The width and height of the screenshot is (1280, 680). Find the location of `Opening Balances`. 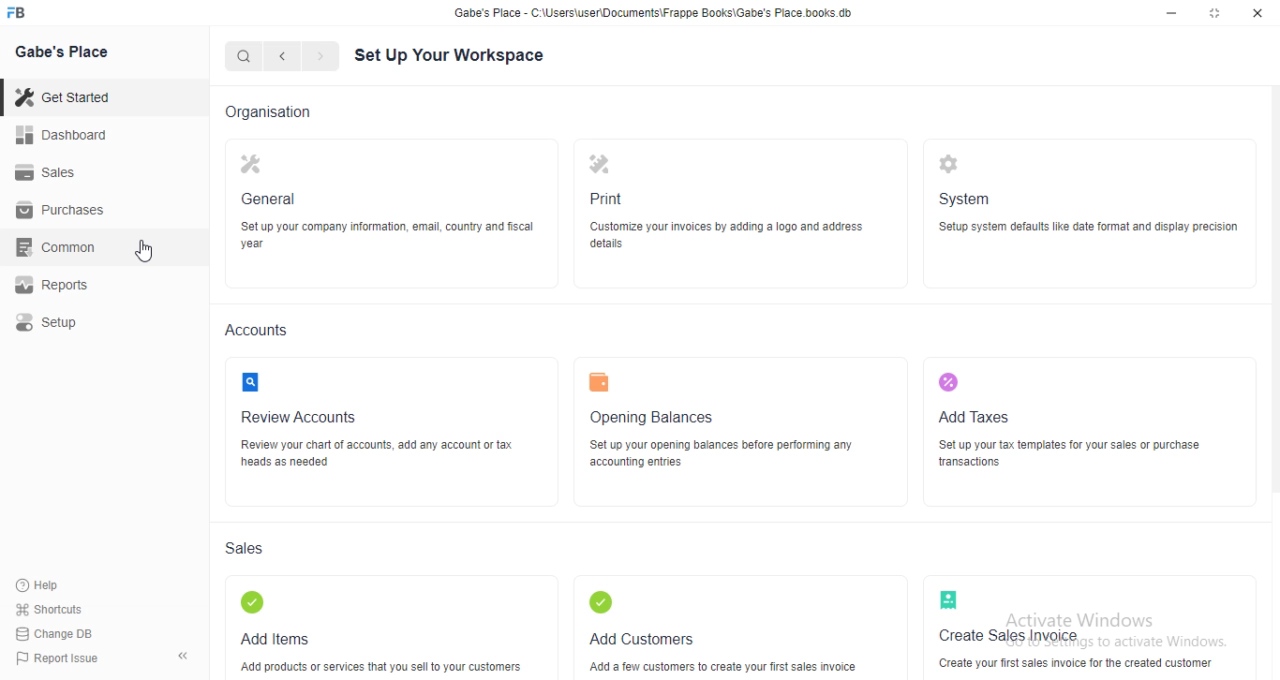

Opening Balances is located at coordinates (661, 418).